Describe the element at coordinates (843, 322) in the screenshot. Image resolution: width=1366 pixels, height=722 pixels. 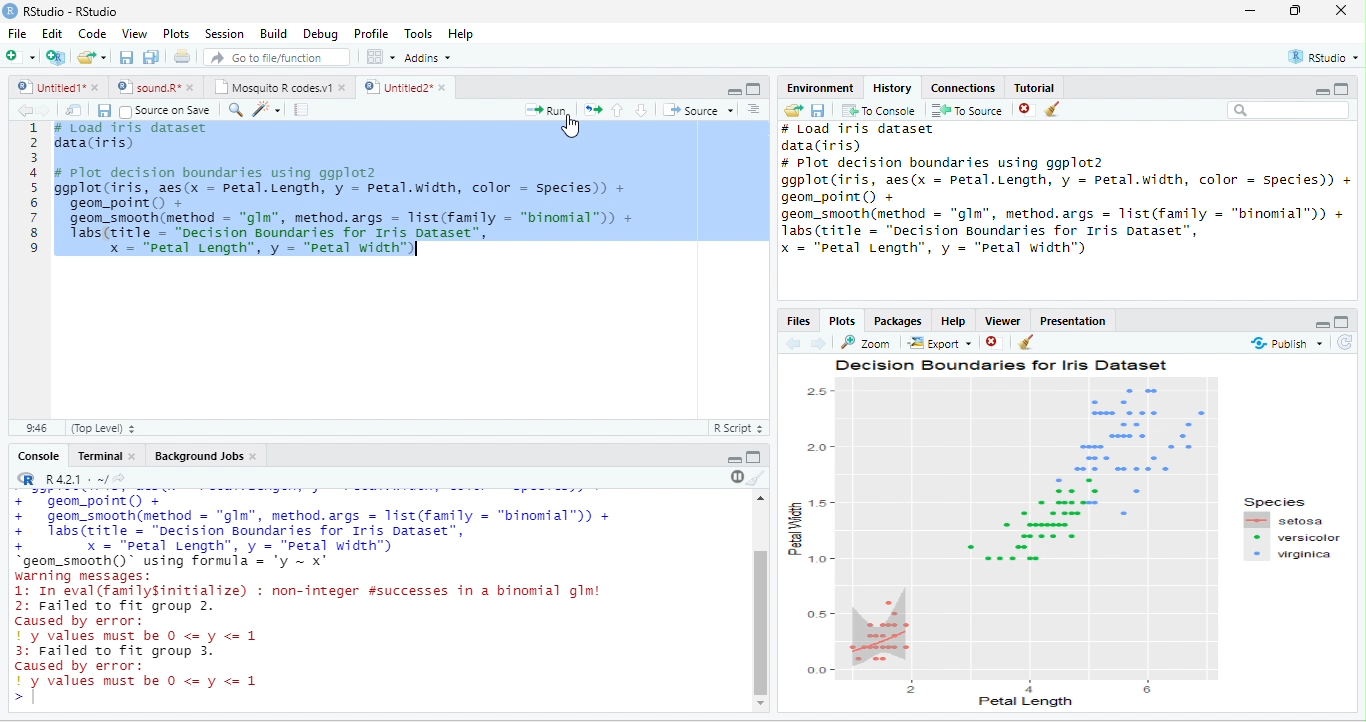
I see `Plots` at that location.